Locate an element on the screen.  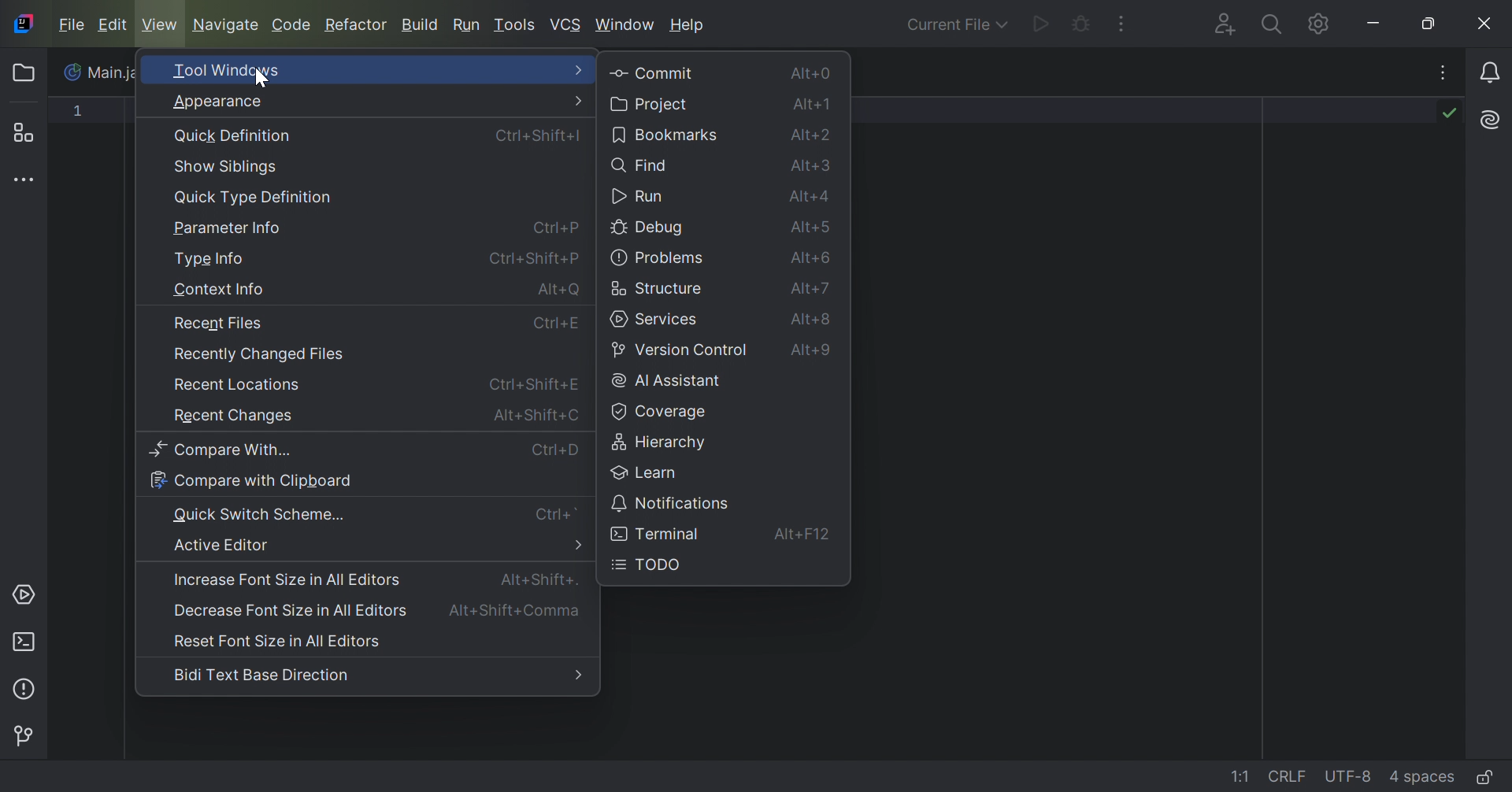
UTF-8 is located at coordinates (1349, 778).